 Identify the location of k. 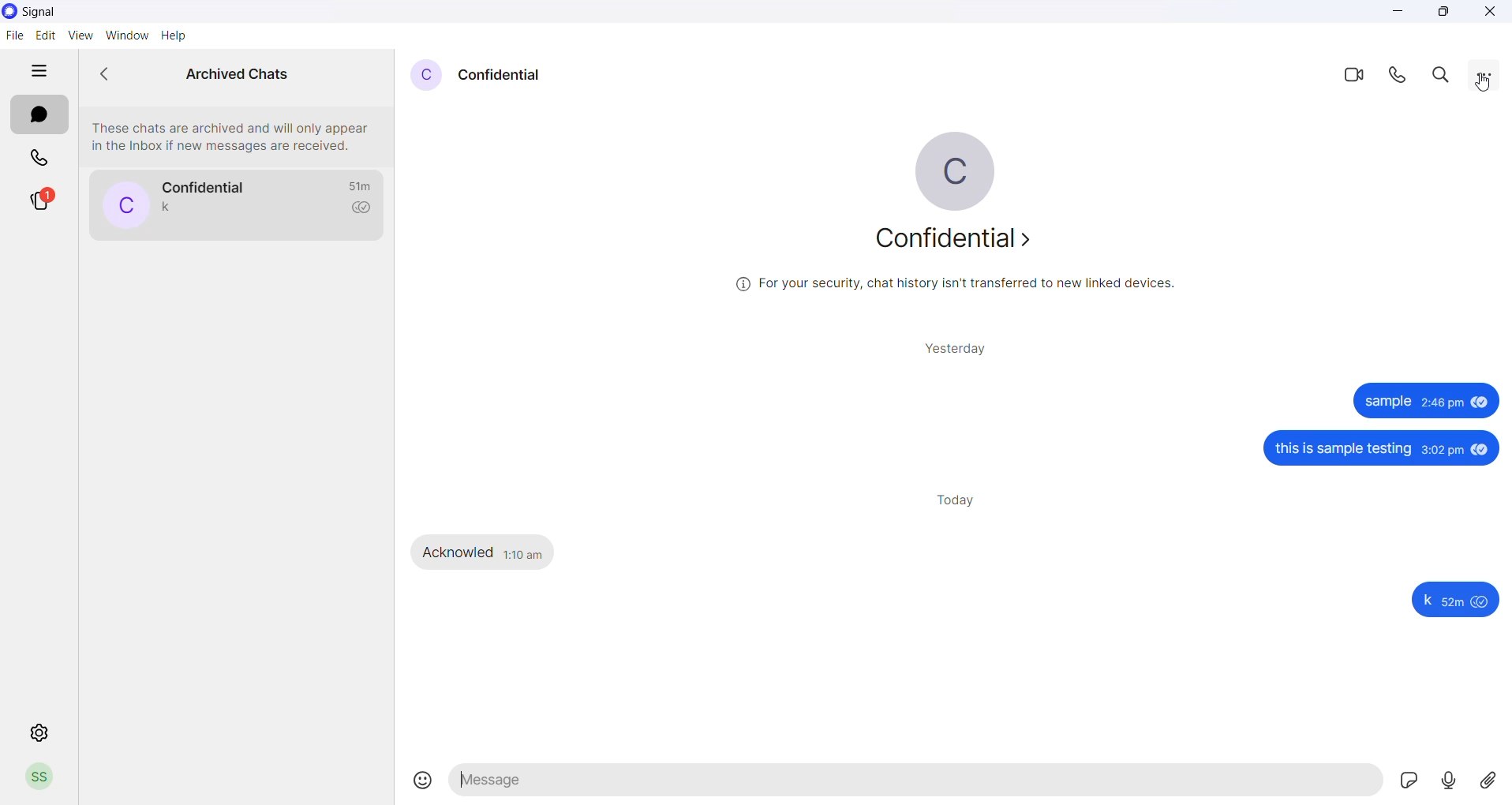
(1429, 603).